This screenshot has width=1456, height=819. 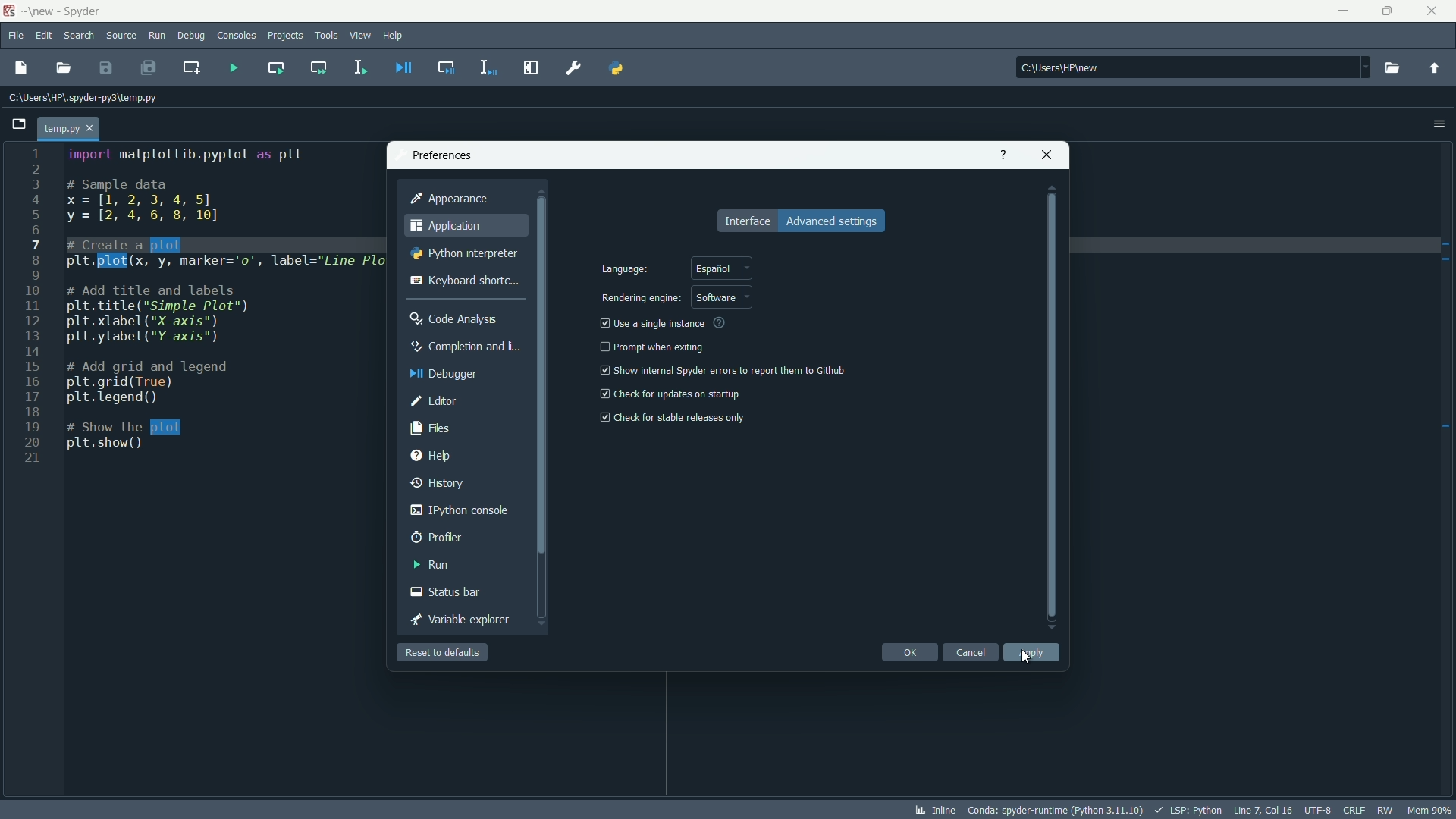 I want to click on run, so click(x=157, y=36).